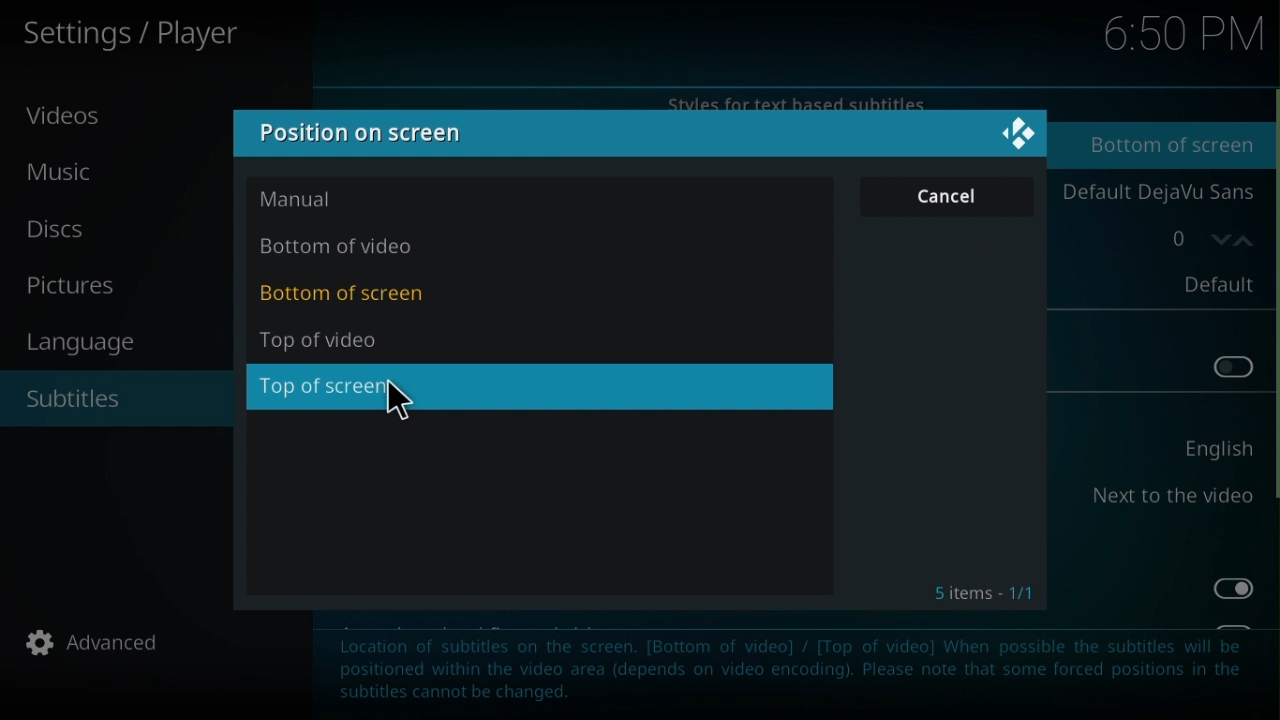 The image size is (1280, 720). Describe the element at coordinates (1163, 146) in the screenshot. I see `Bottom of screen` at that location.